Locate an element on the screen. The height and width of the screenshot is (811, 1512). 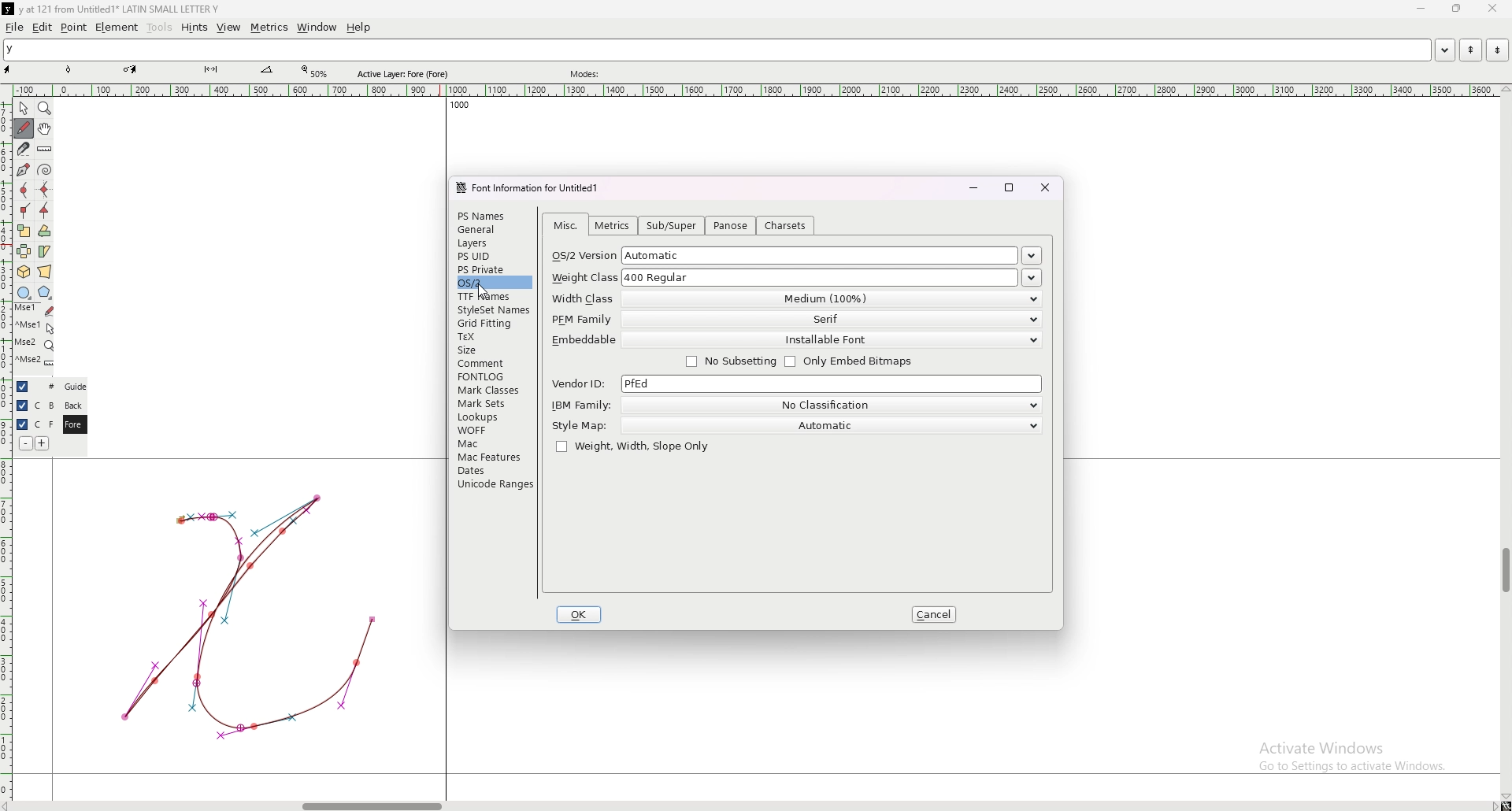
graph is located at coordinates (248, 615).